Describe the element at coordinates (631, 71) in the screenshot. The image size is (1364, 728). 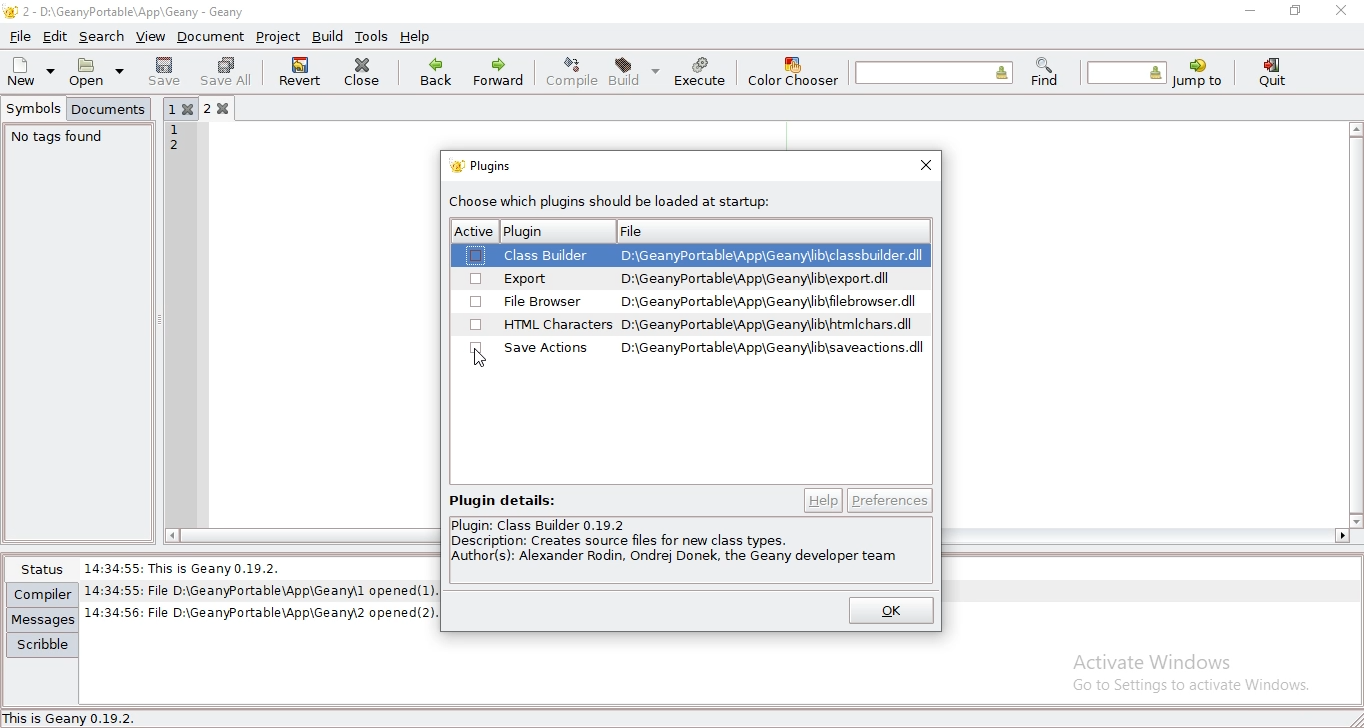
I see `build` at that location.